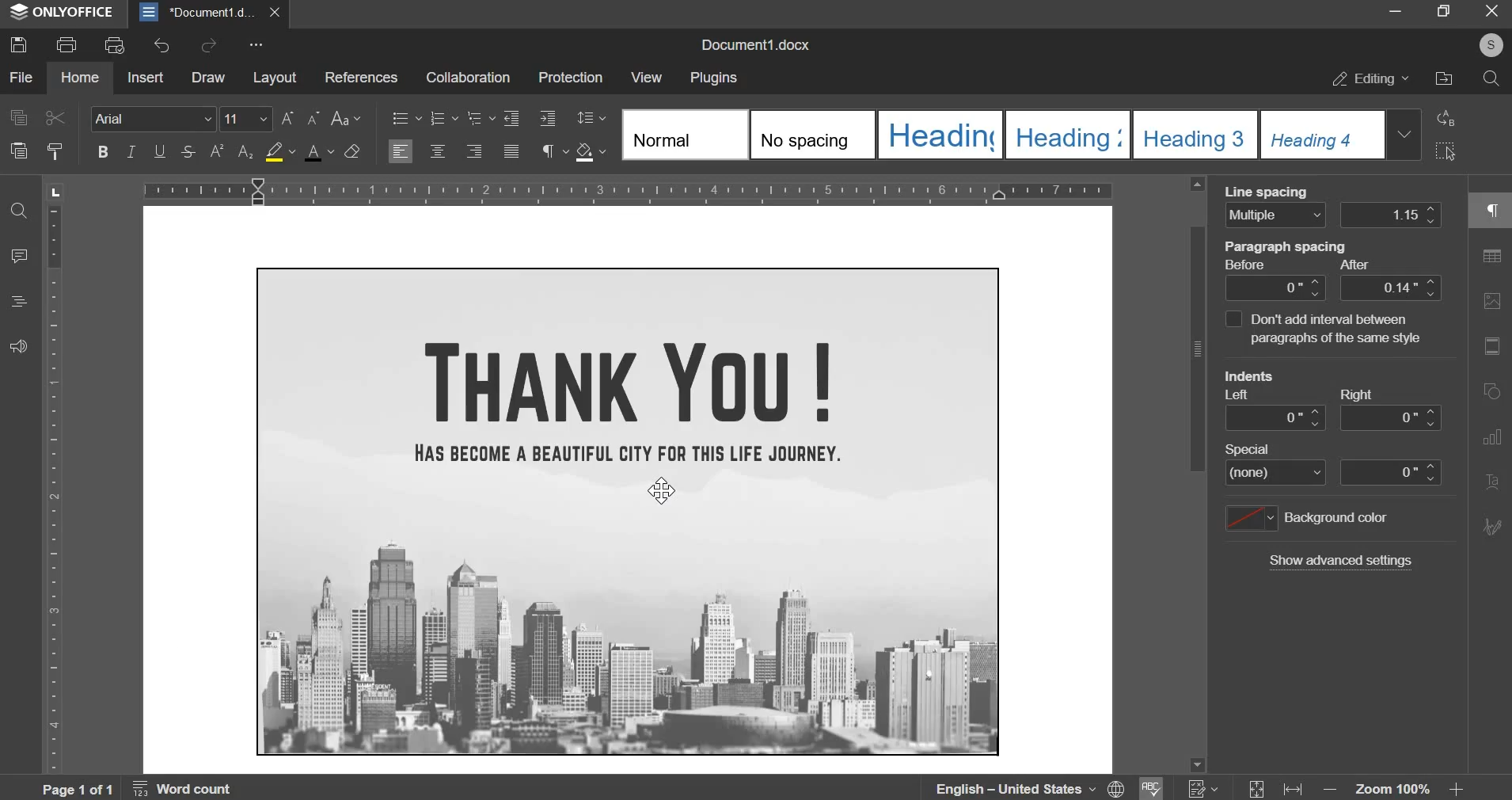 The image size is (1512, 800). I want to click on change case, so click(345, 117).